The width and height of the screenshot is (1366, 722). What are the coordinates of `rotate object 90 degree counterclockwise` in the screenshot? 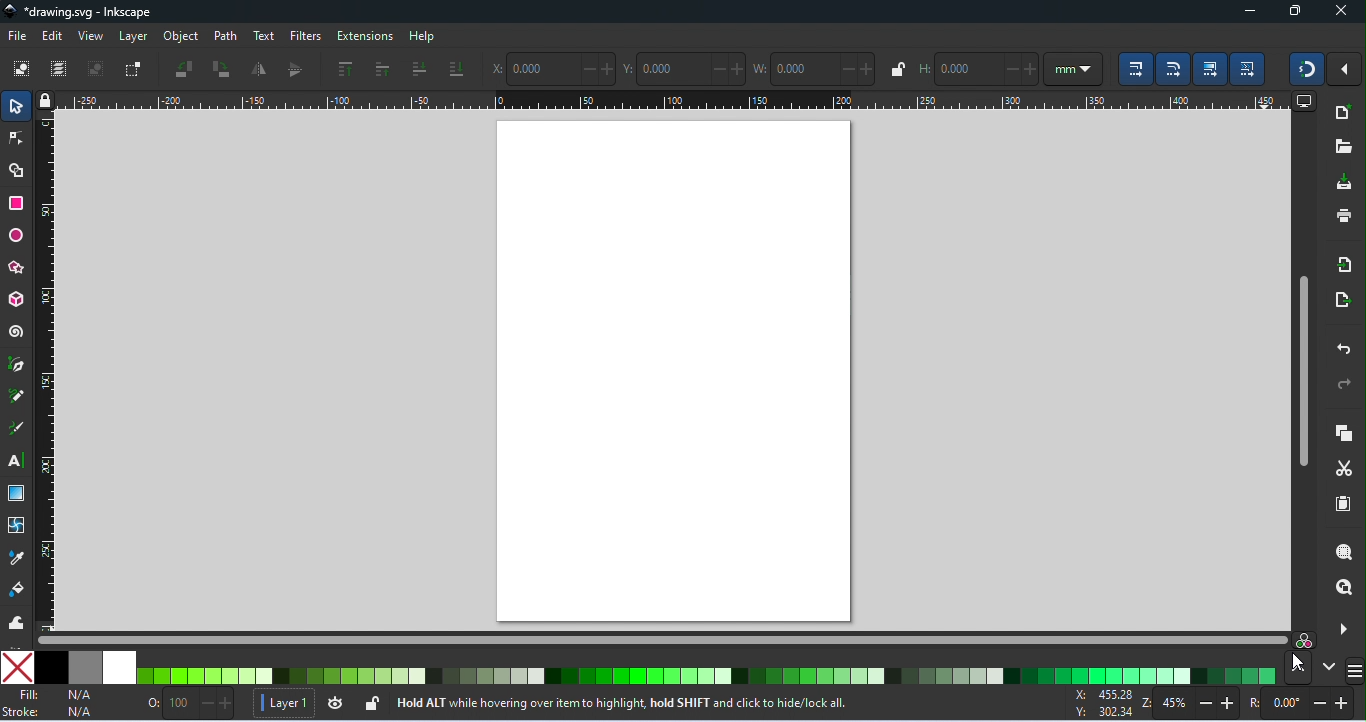 It's located at (186, 69).